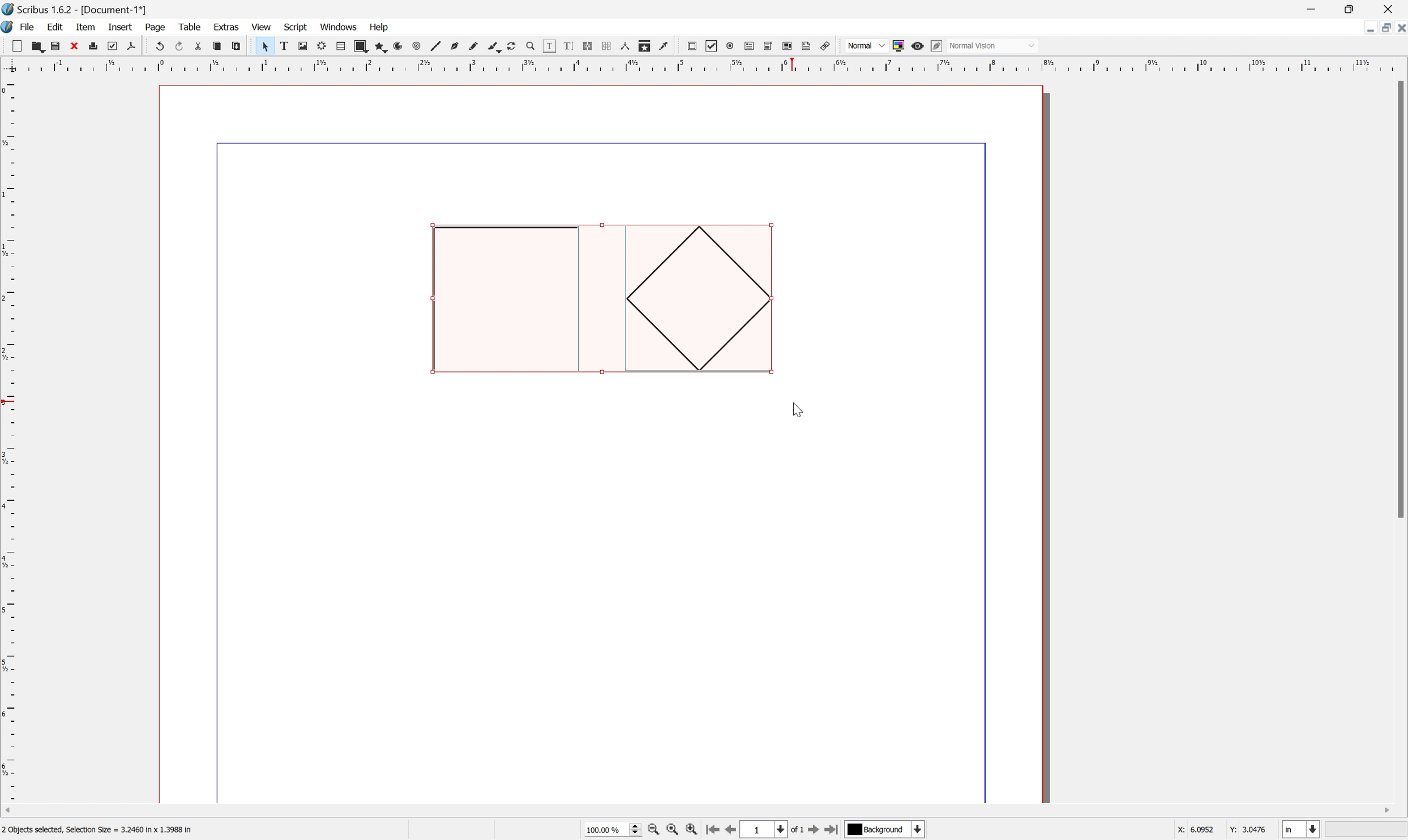  What do you see at coordinates (90, 8) in the screenshot?
I see `Scribus 1.6.2 - [Document-1*]` at bounding box center [90, 8].